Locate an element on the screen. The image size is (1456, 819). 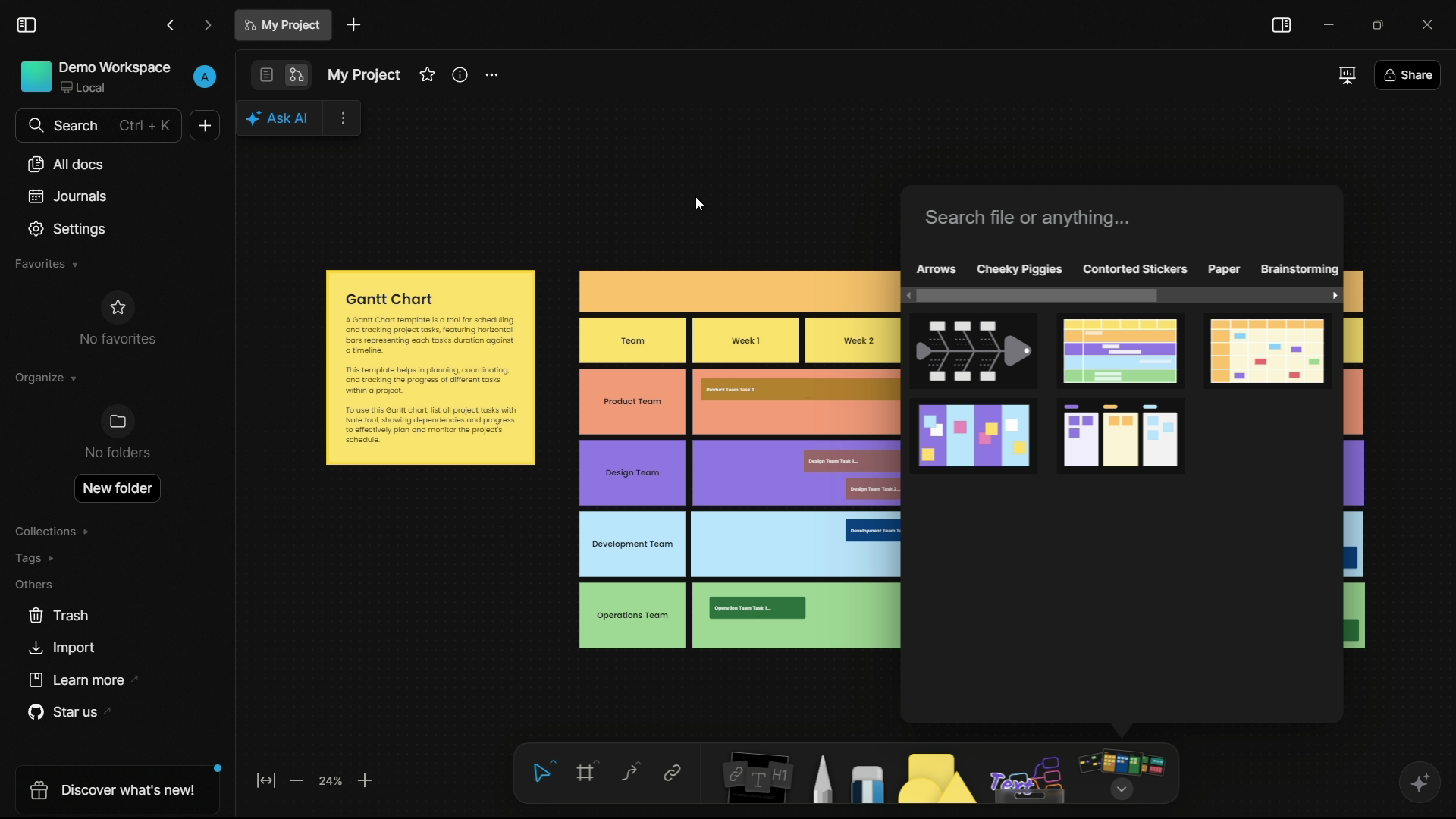
star us is located at coordinates (64, 712).